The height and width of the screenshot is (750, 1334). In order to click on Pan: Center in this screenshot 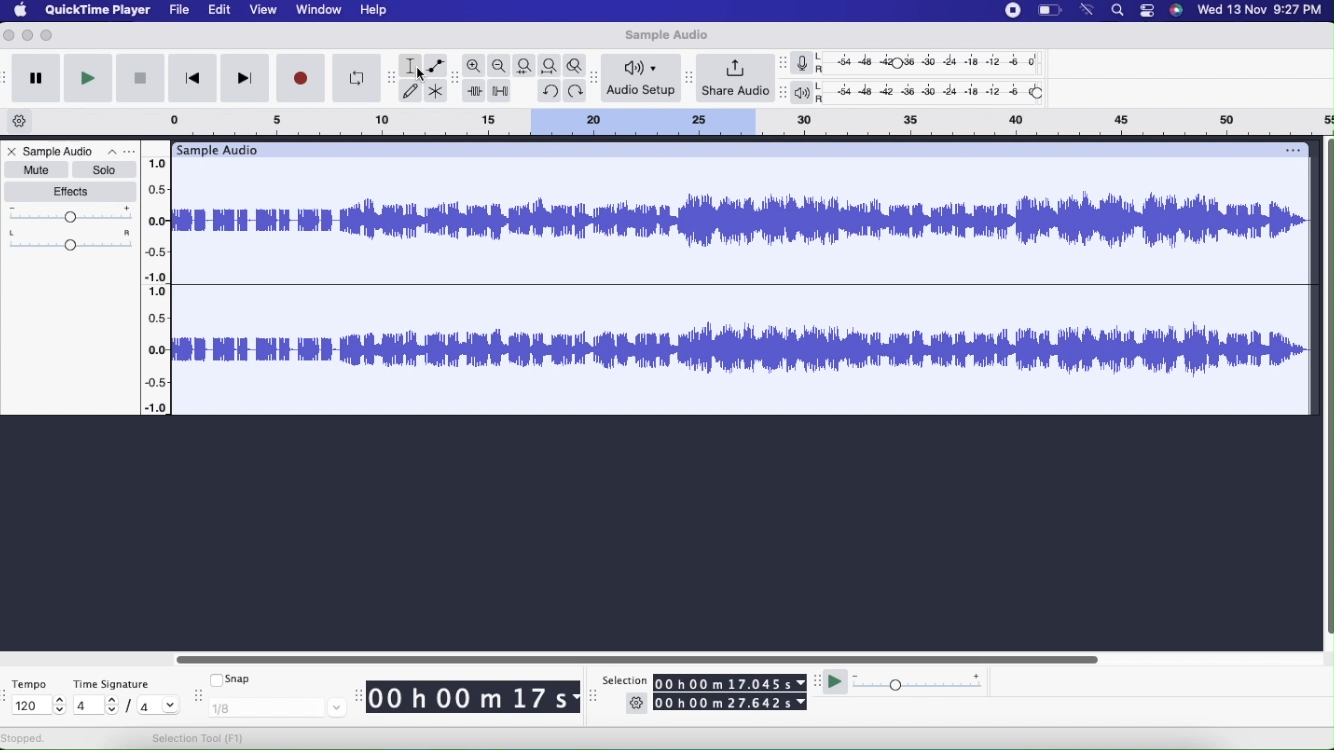, I will do `click(71, 240)`.